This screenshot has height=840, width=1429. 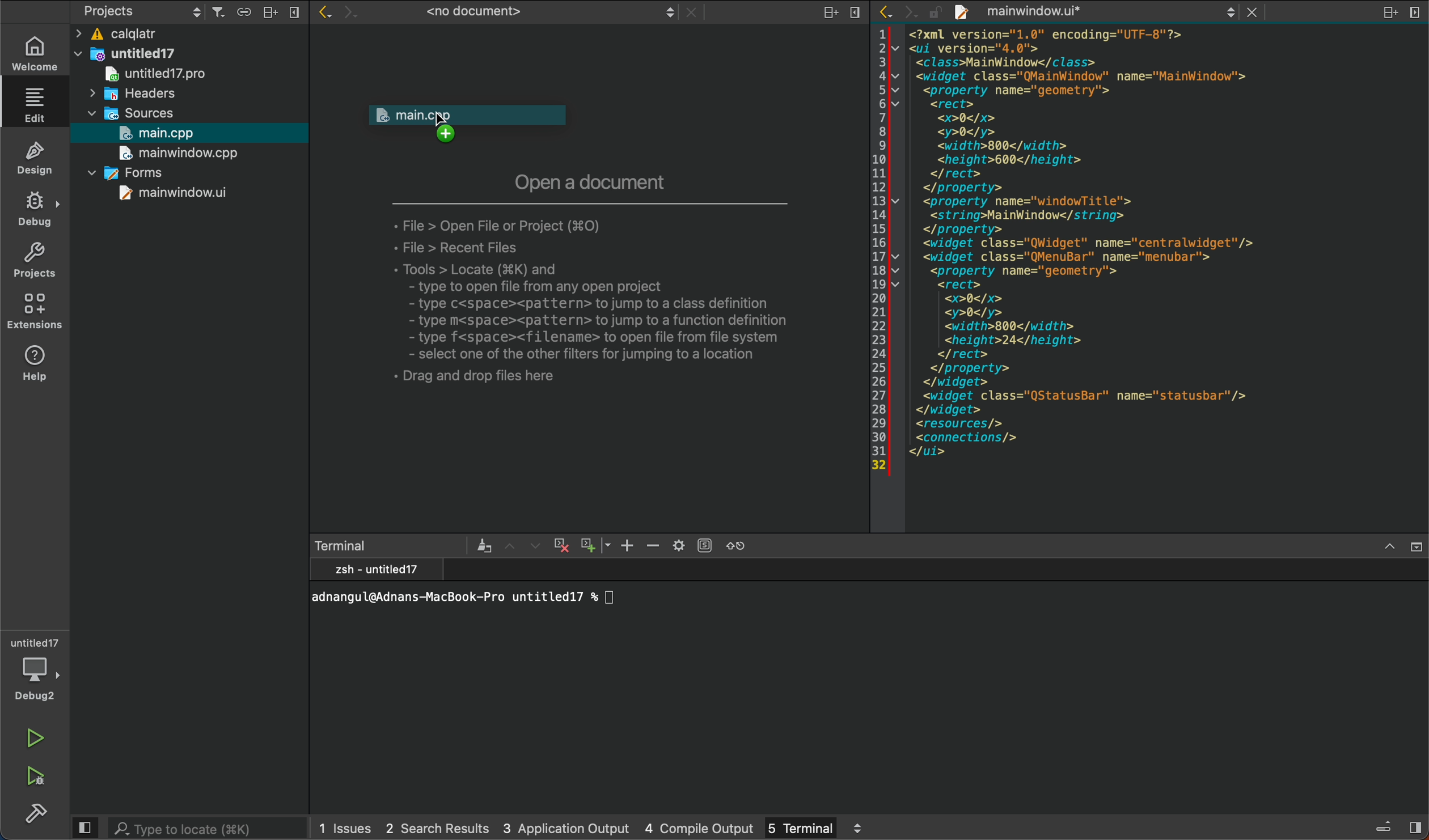 I want to click on main window, so click(x=155, y=194).